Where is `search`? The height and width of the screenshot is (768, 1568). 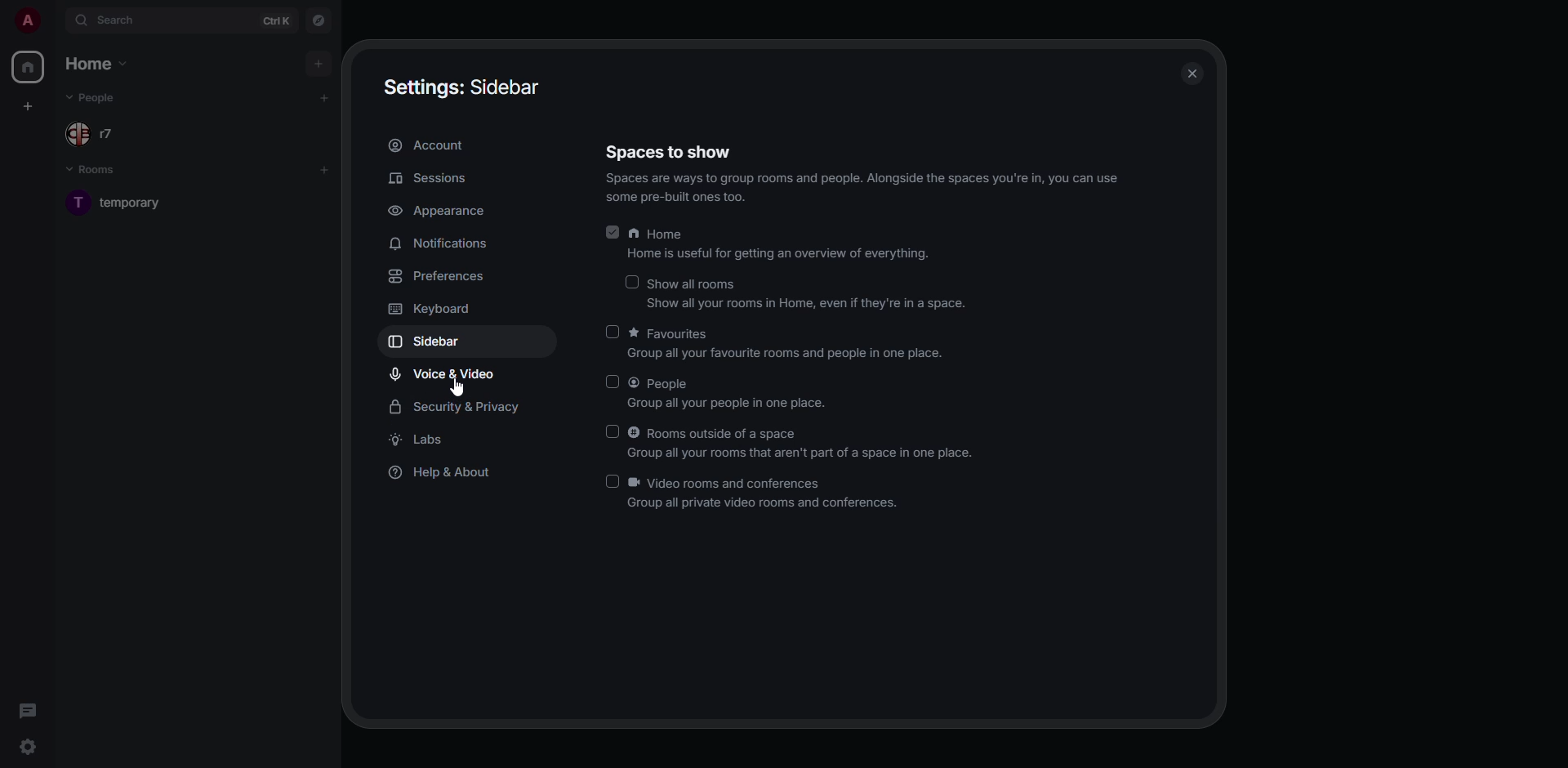
search is located at coordinates (113, 18).